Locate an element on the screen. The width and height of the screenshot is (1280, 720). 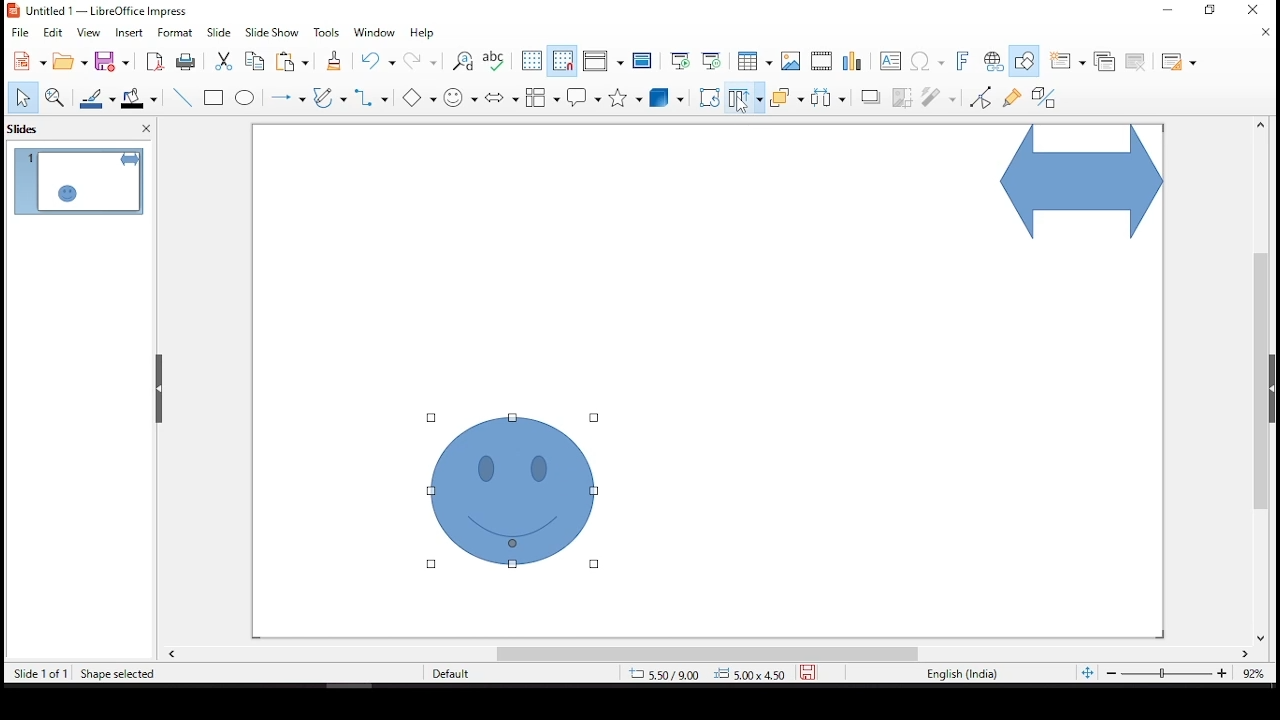
object (selected) is located at coordinates (515, 493).